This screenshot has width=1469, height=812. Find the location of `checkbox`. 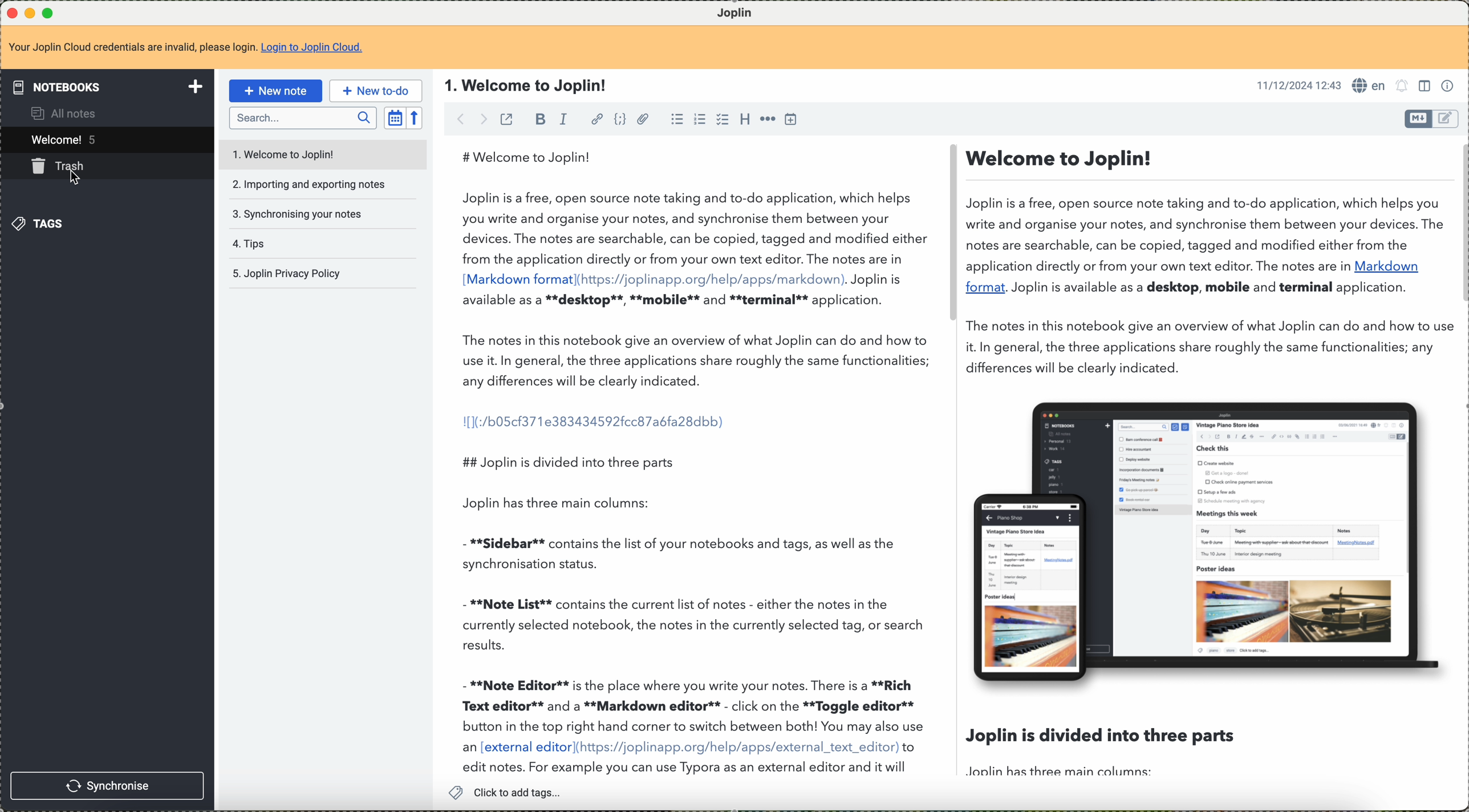

checkbox is located at coordinates (721, 119).